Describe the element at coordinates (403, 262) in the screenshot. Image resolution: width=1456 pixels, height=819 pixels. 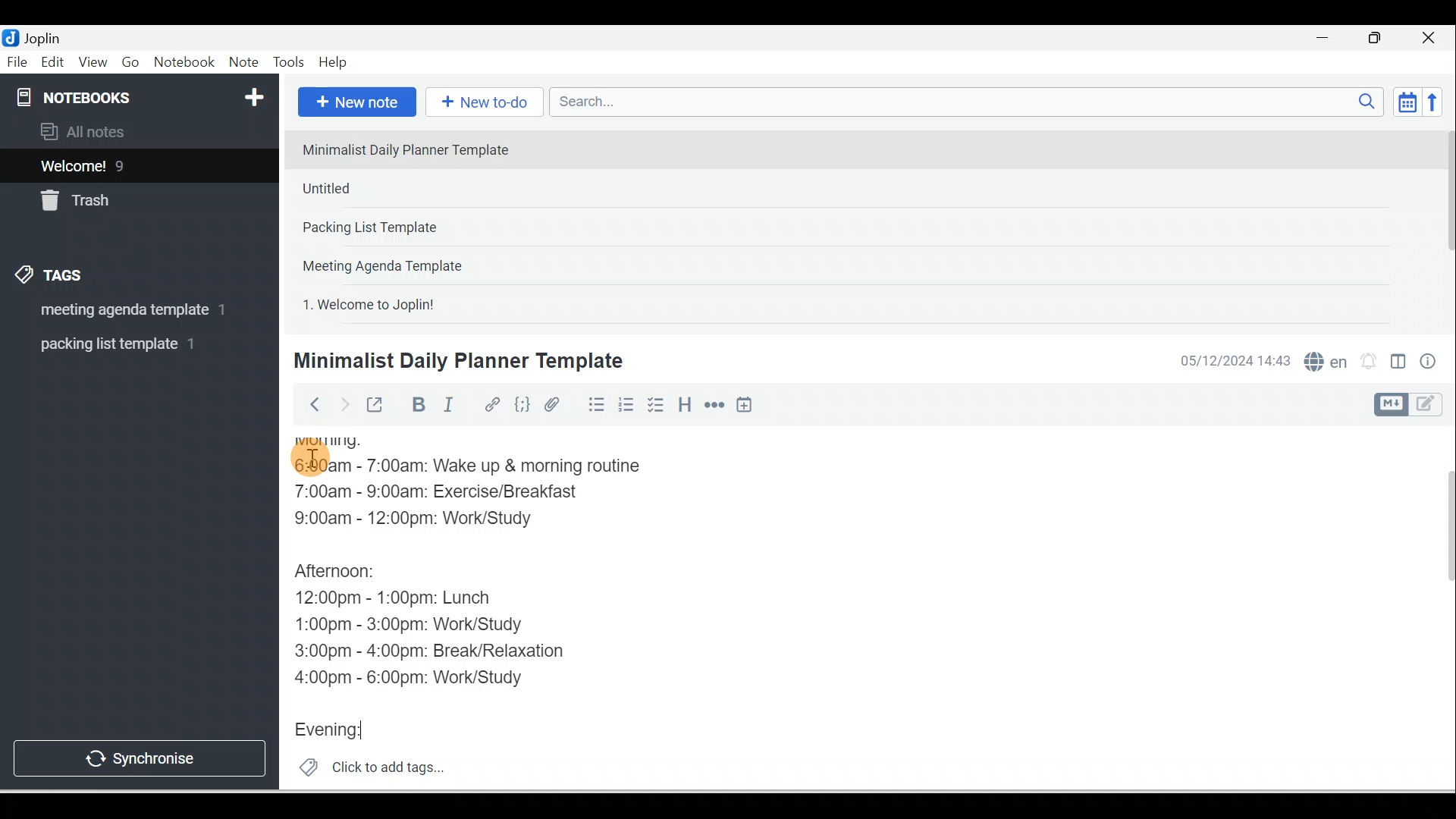
I see `Note 4` at that location.